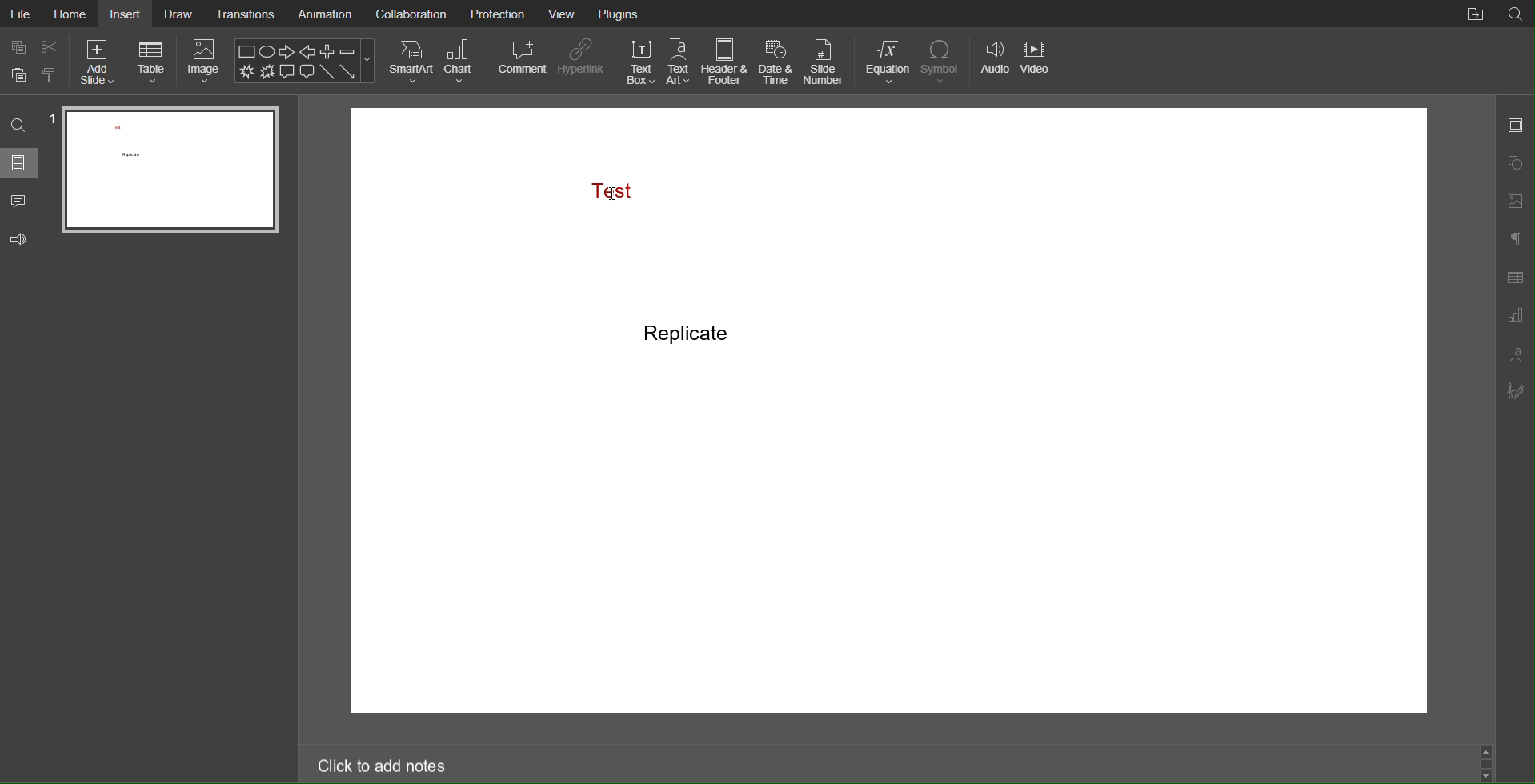 This screenshot has width=1535, height=784. I want to click on Images, so click(1515, 198).